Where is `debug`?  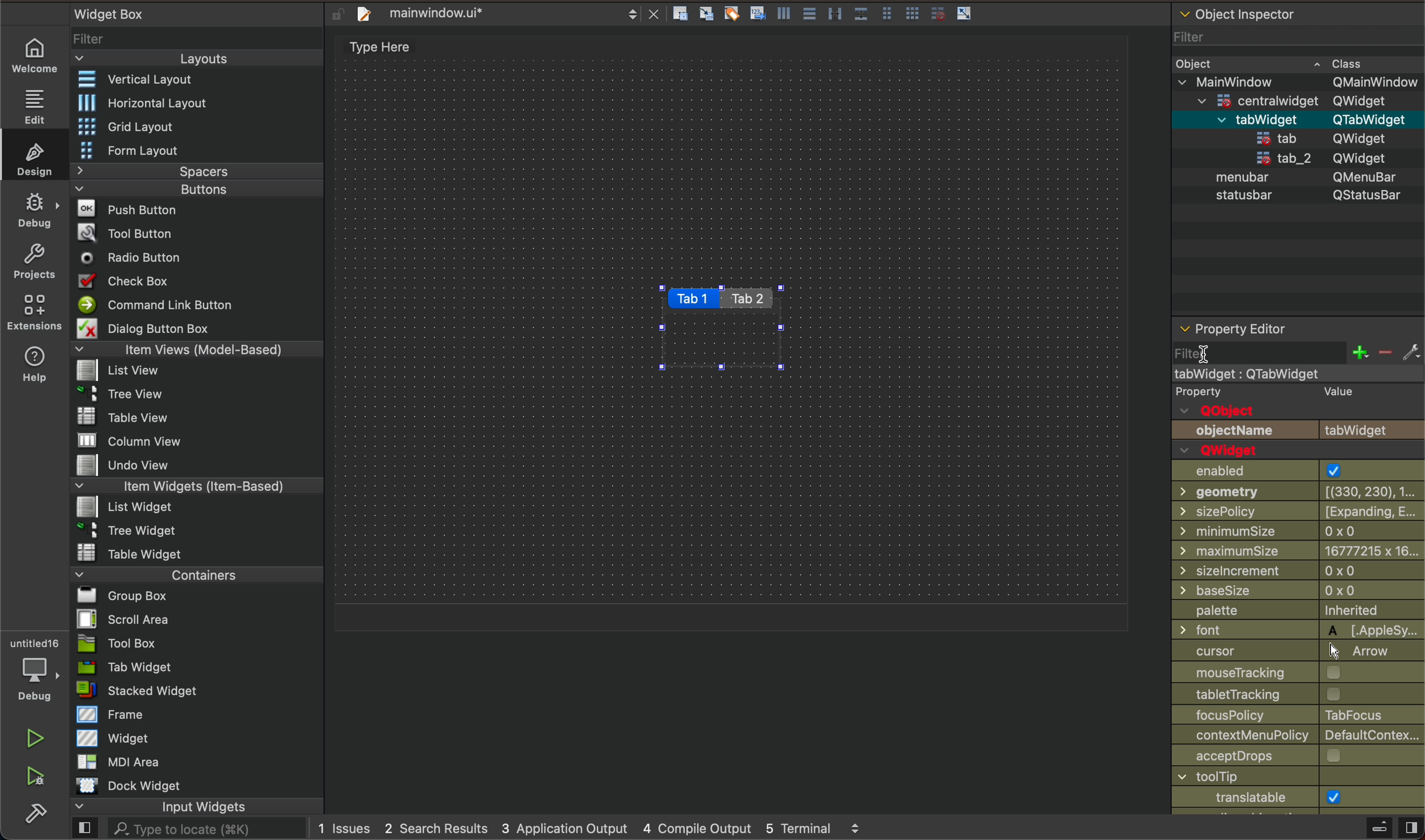
debug is located at coordinates (35, 209).